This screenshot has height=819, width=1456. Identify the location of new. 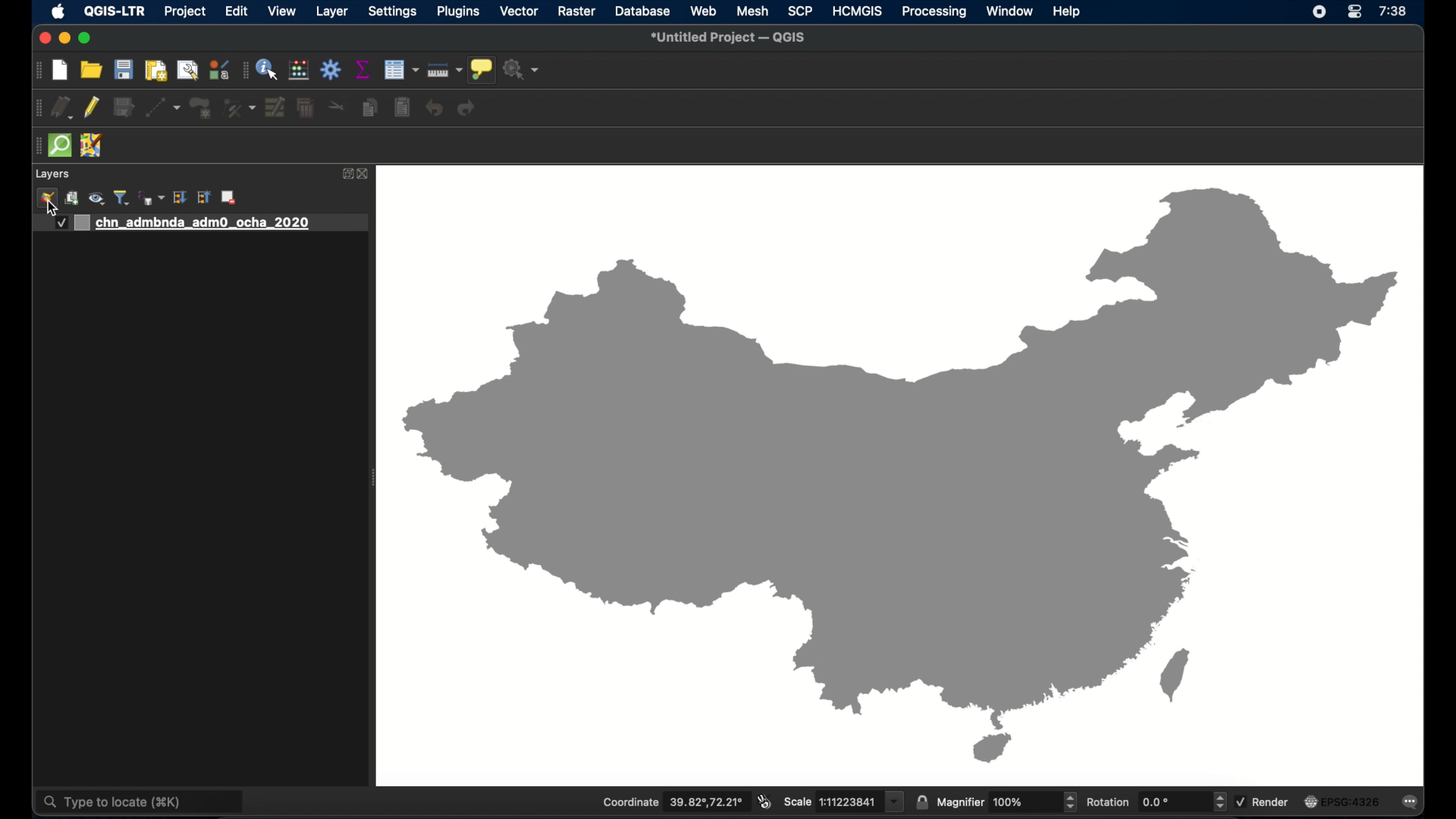
(61, 71).